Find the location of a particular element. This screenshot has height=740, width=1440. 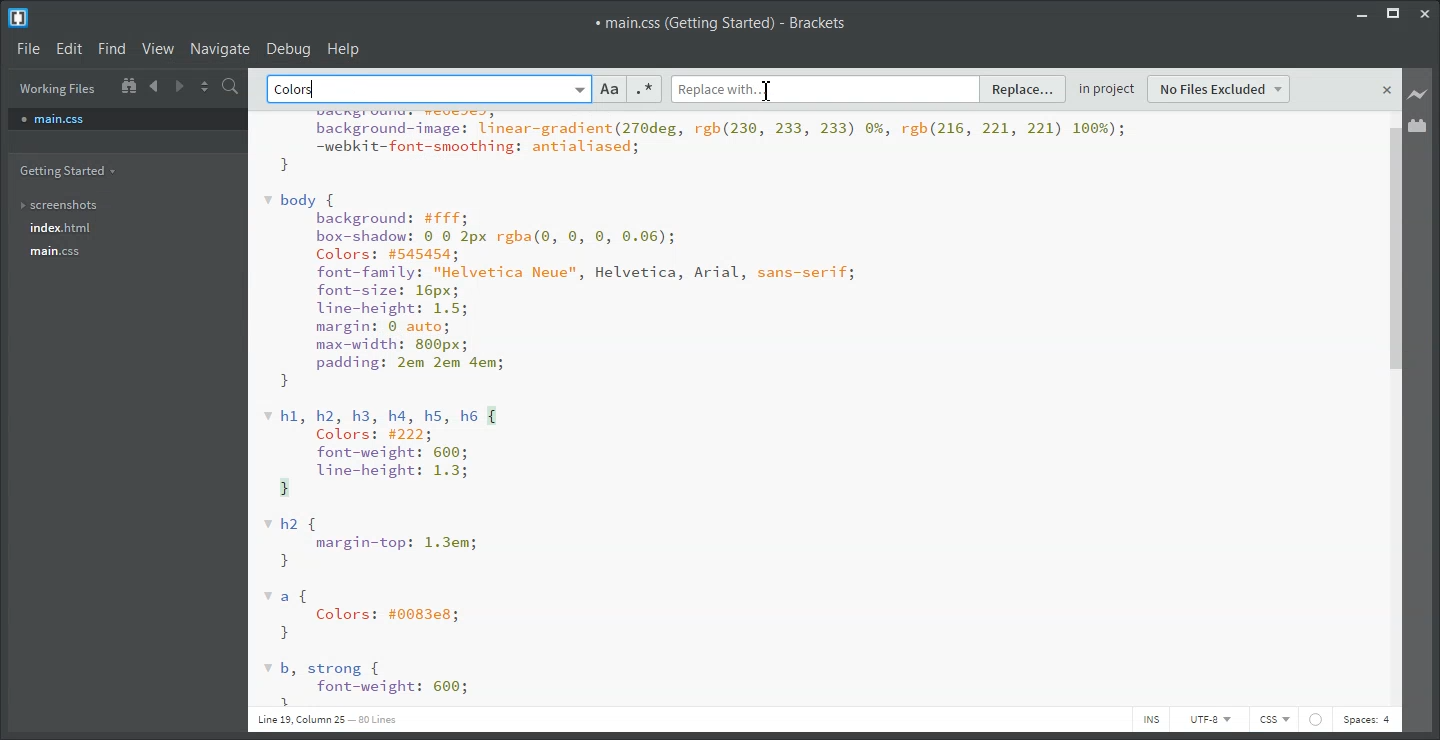

body {
background: #fff;
box-shadow: © 8 2px rgba(®, 0, ©, 0.06);
Colors: #545454;
font-family: "Helvetica Neue", Helvetica, Arial, sans-serif;
font-size: 16px;
line-height: 1.5;
margin: © auto;
max-width: 800px;
padding: 2em 2em dem;
} is located at coordinates (561, 291).